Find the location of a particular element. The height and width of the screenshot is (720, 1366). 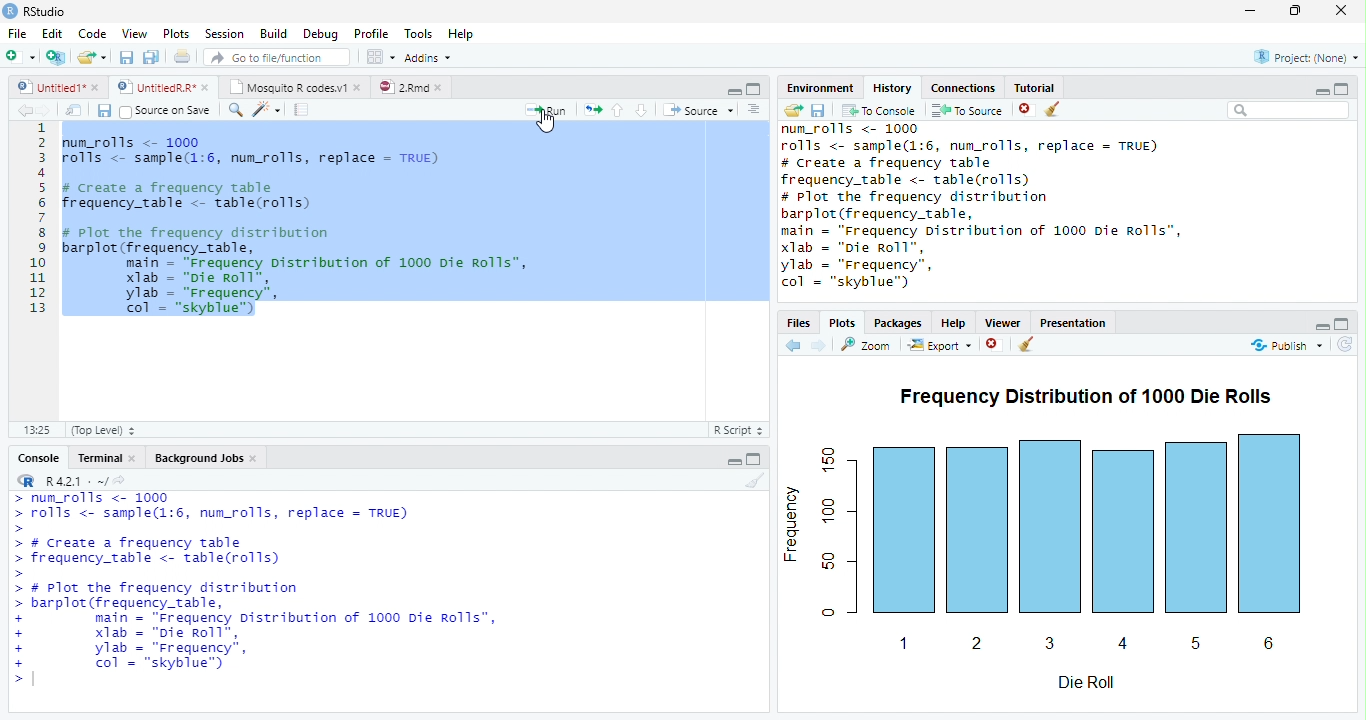

Frequency Distribution of 1000 Die Rolls is located at coordinates (1083, 394).